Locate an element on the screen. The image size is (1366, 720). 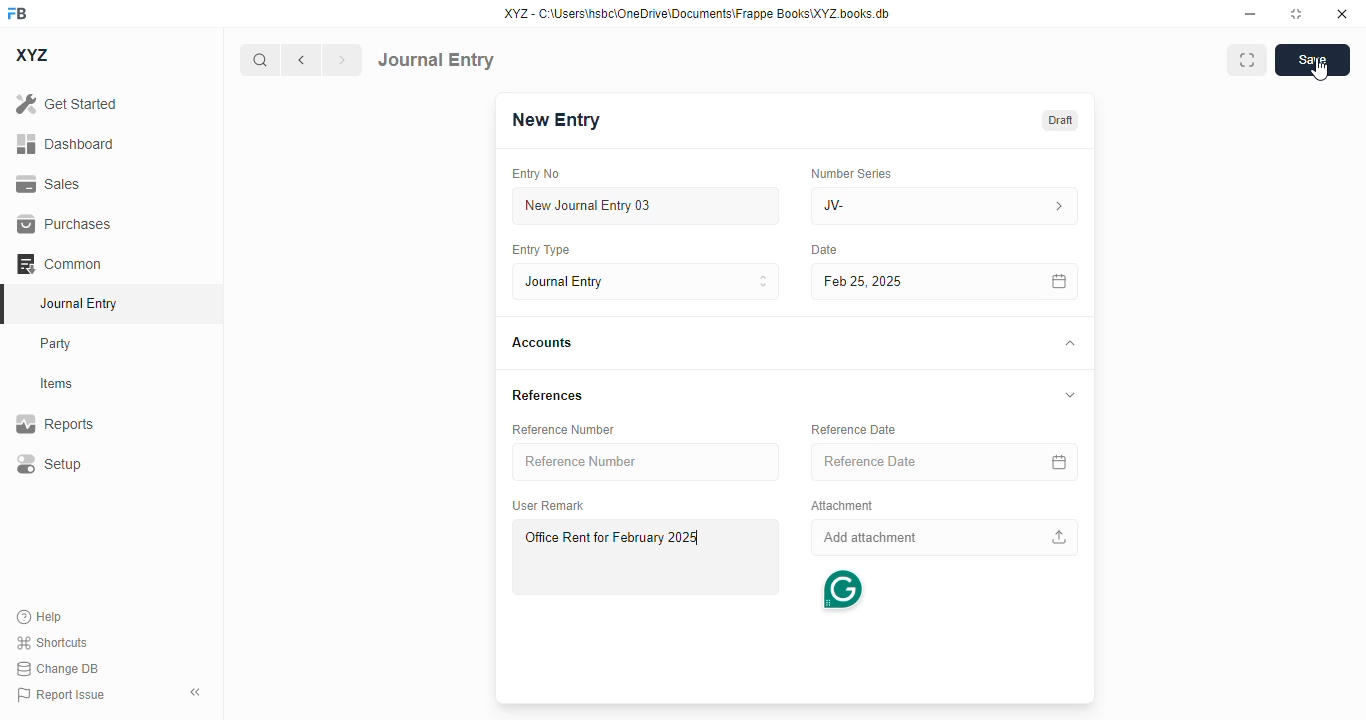
reference number is located at coordinates (563, 430).